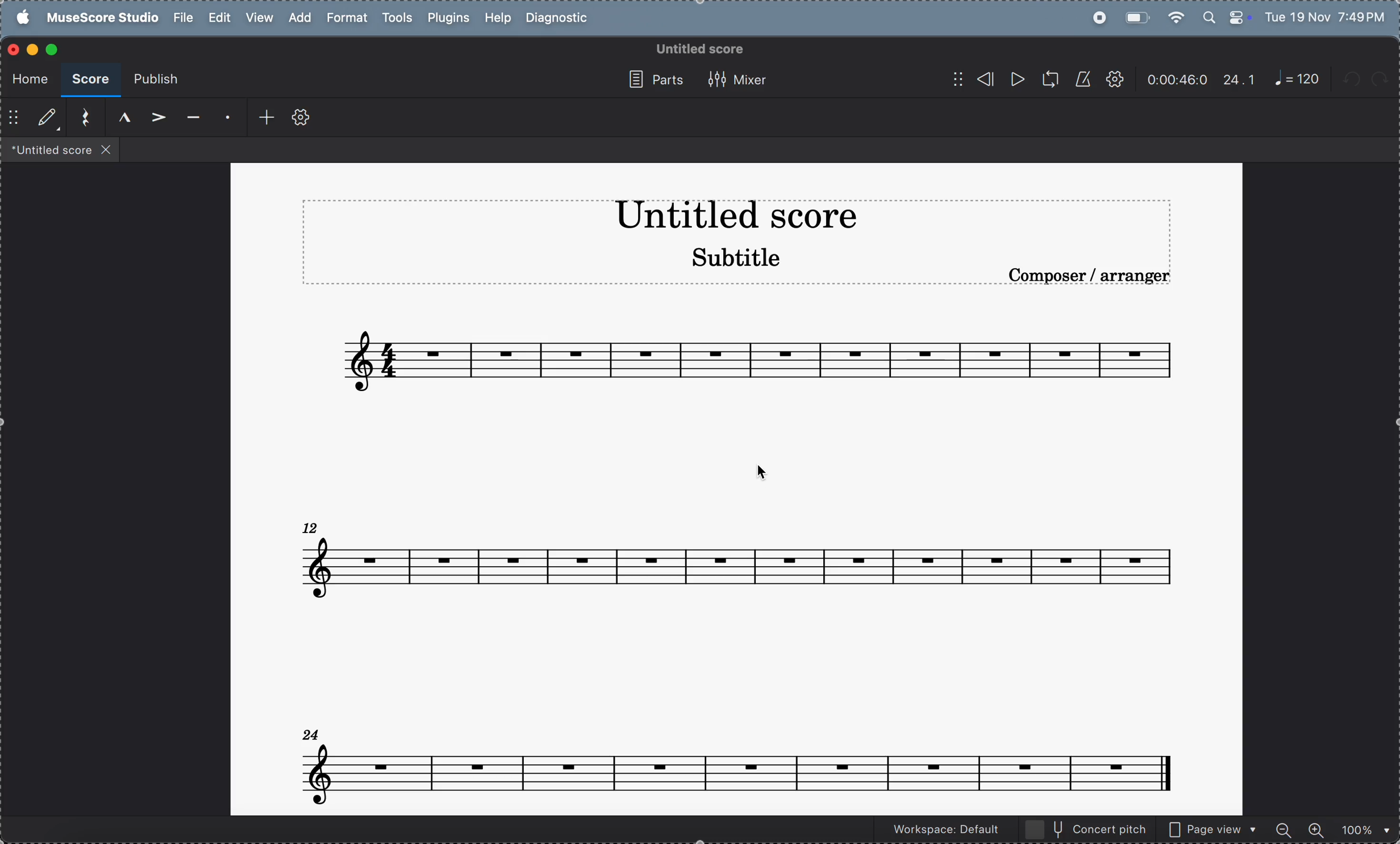  What do you see at coordinates (1177, 79) in the screenshot?
I see `timeframe` at bounding box center [1177, 79].